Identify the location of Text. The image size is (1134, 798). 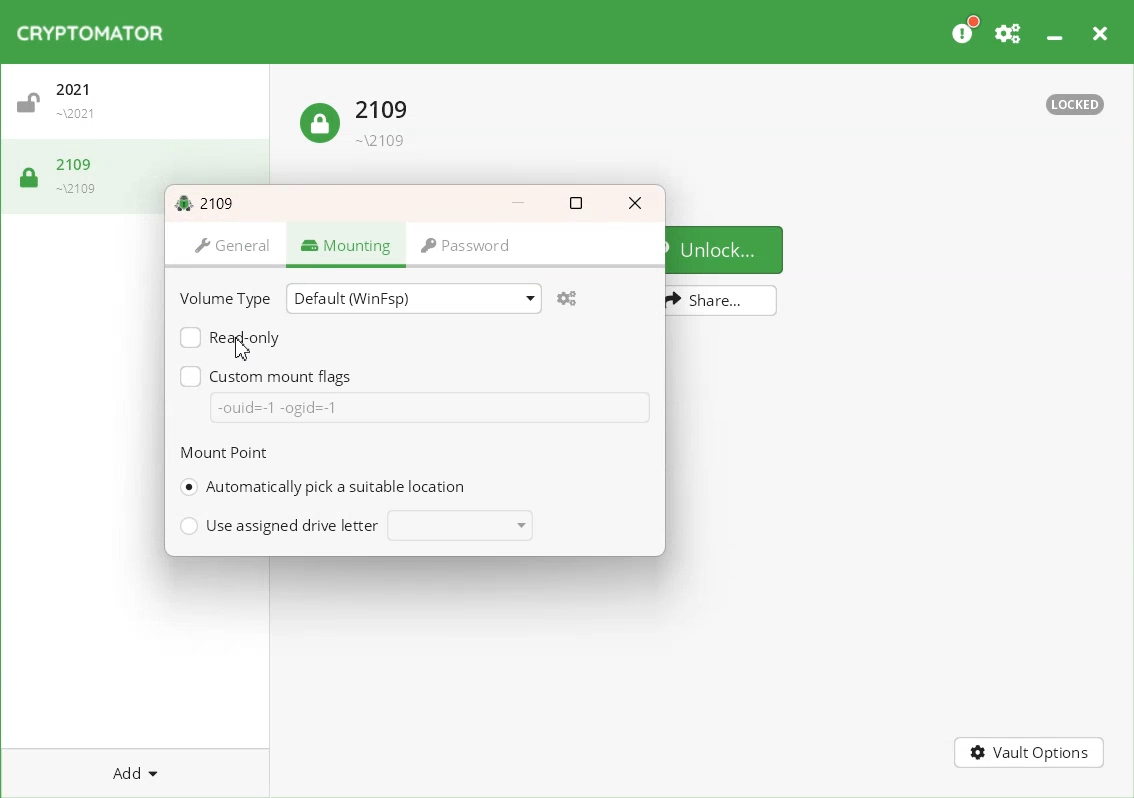
(1075, 105).